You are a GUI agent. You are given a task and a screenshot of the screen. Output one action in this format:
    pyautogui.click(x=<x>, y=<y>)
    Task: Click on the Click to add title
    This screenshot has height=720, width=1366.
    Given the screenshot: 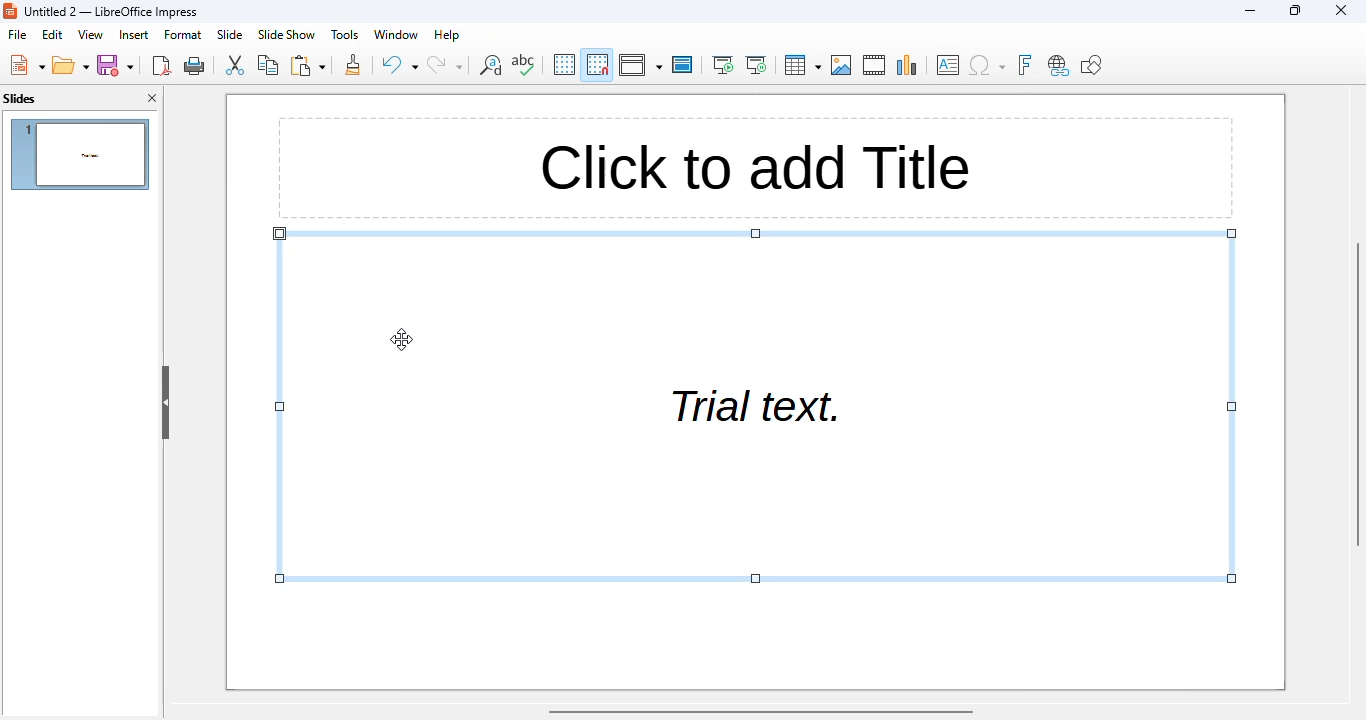 What is the action you would take?
    pyautogui.click(x=756, y=168)
    